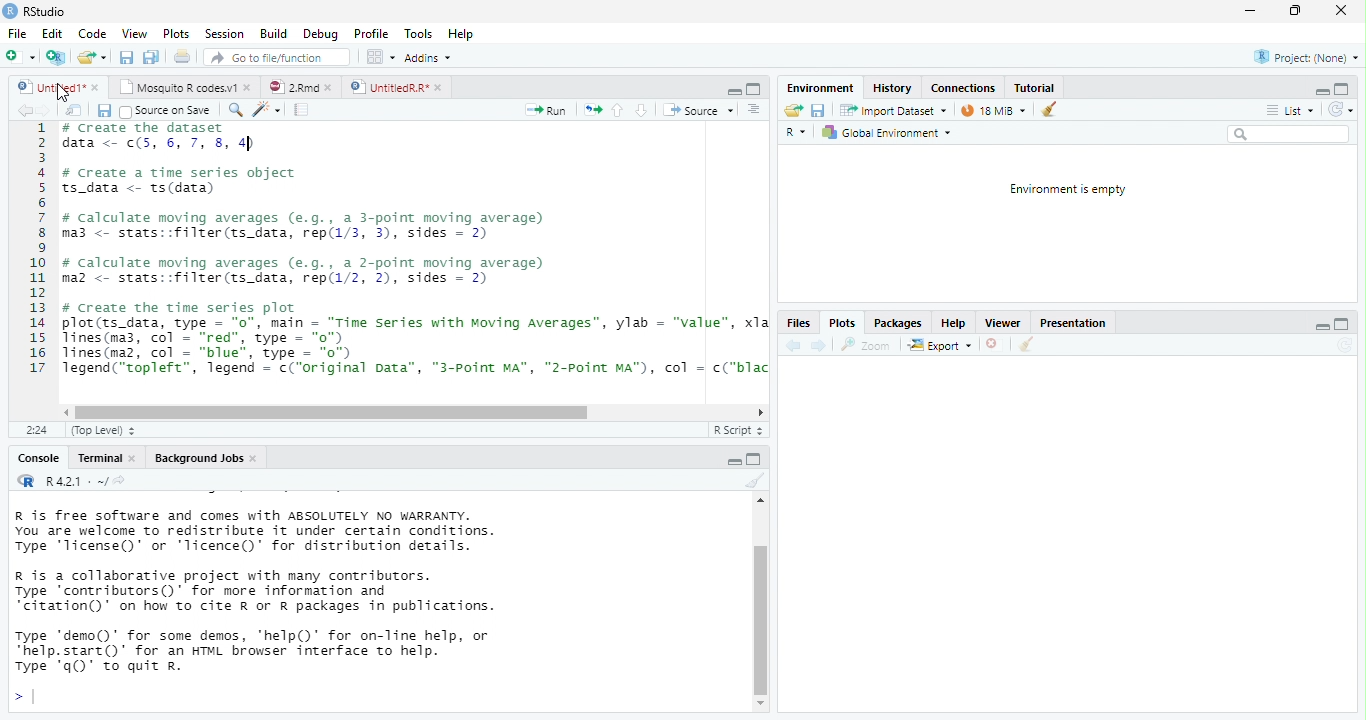  What do you see at coordinates (962, 88) in the screenshot?
I see `Connections` at bounding box center [962, 88].